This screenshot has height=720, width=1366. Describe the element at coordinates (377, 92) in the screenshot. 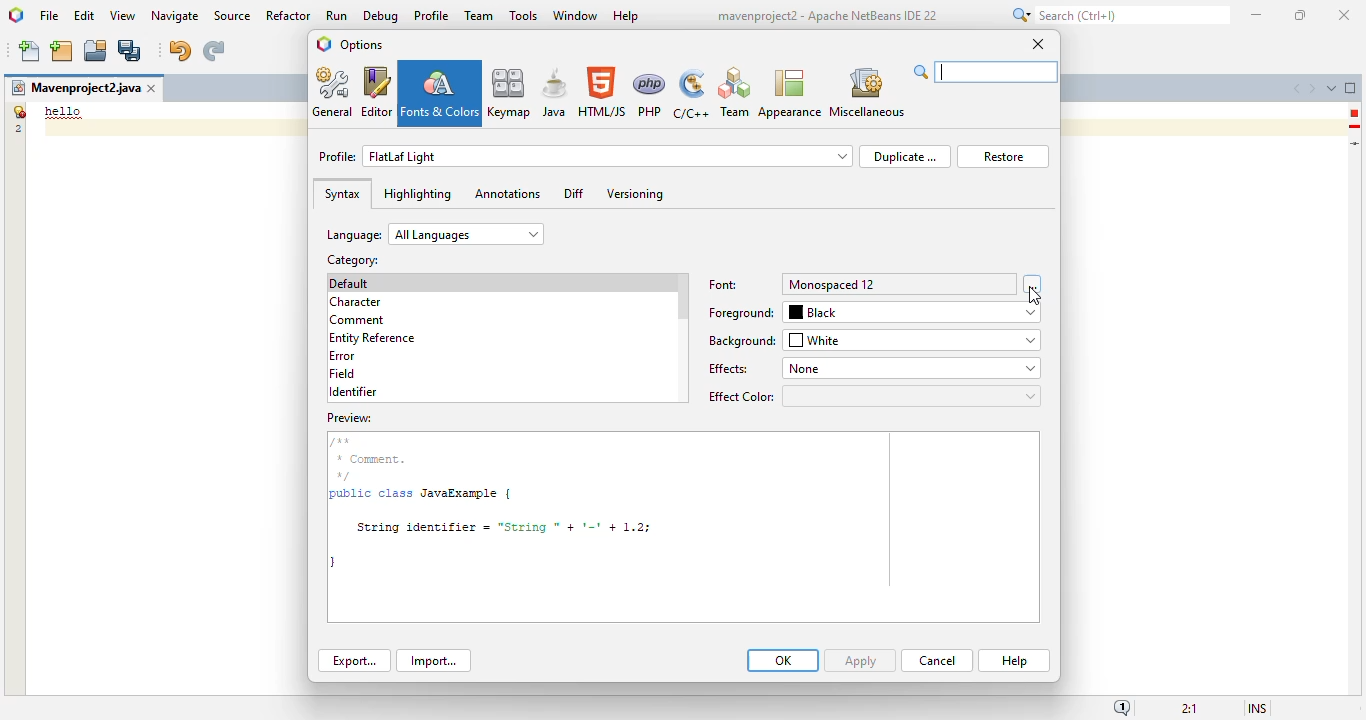

I see `editor` at that location.